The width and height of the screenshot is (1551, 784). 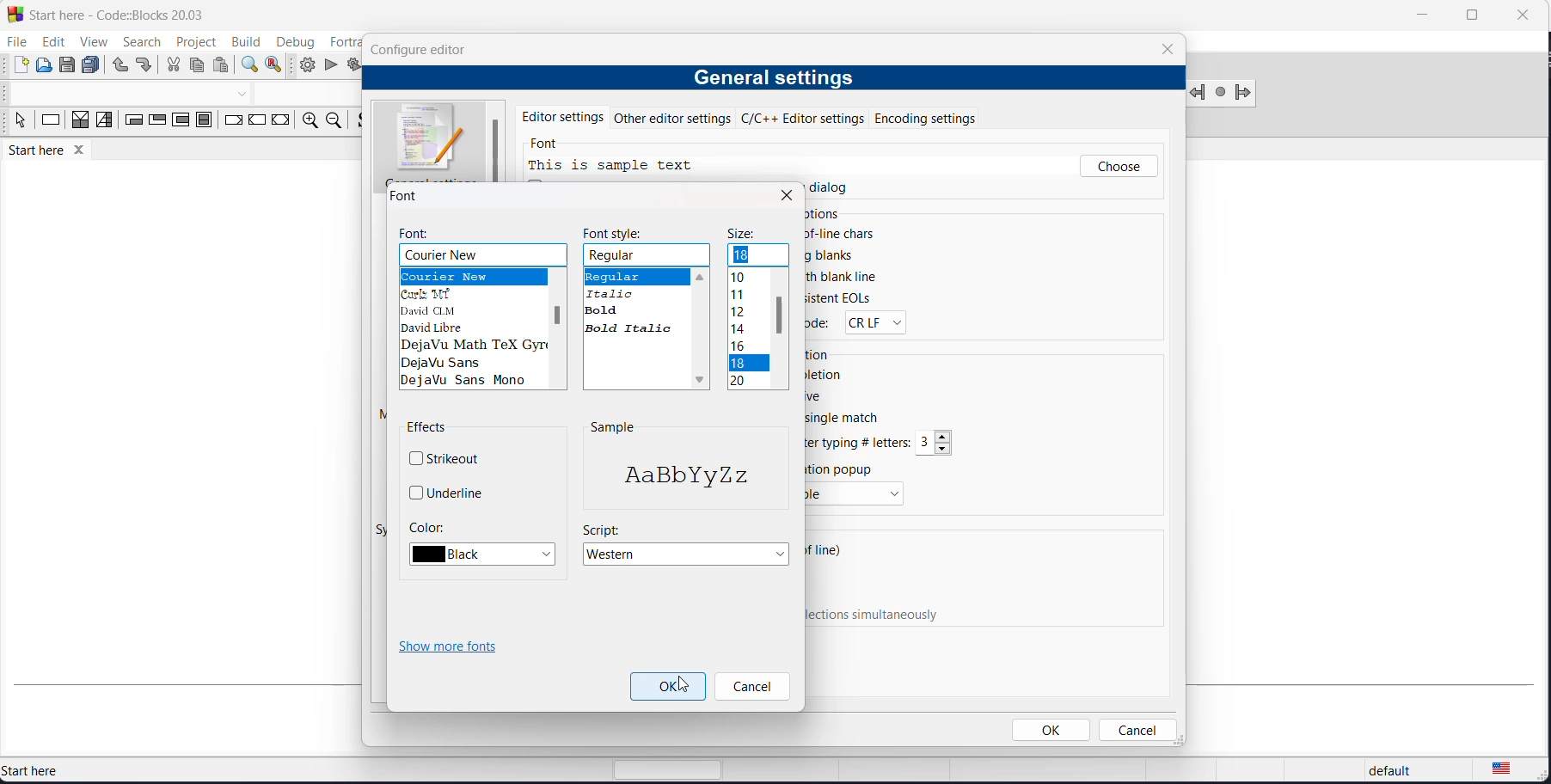 What do you see at coordinates (848, 279) in the screenshot?
I see `blank line` at bounding box center [848, 279].